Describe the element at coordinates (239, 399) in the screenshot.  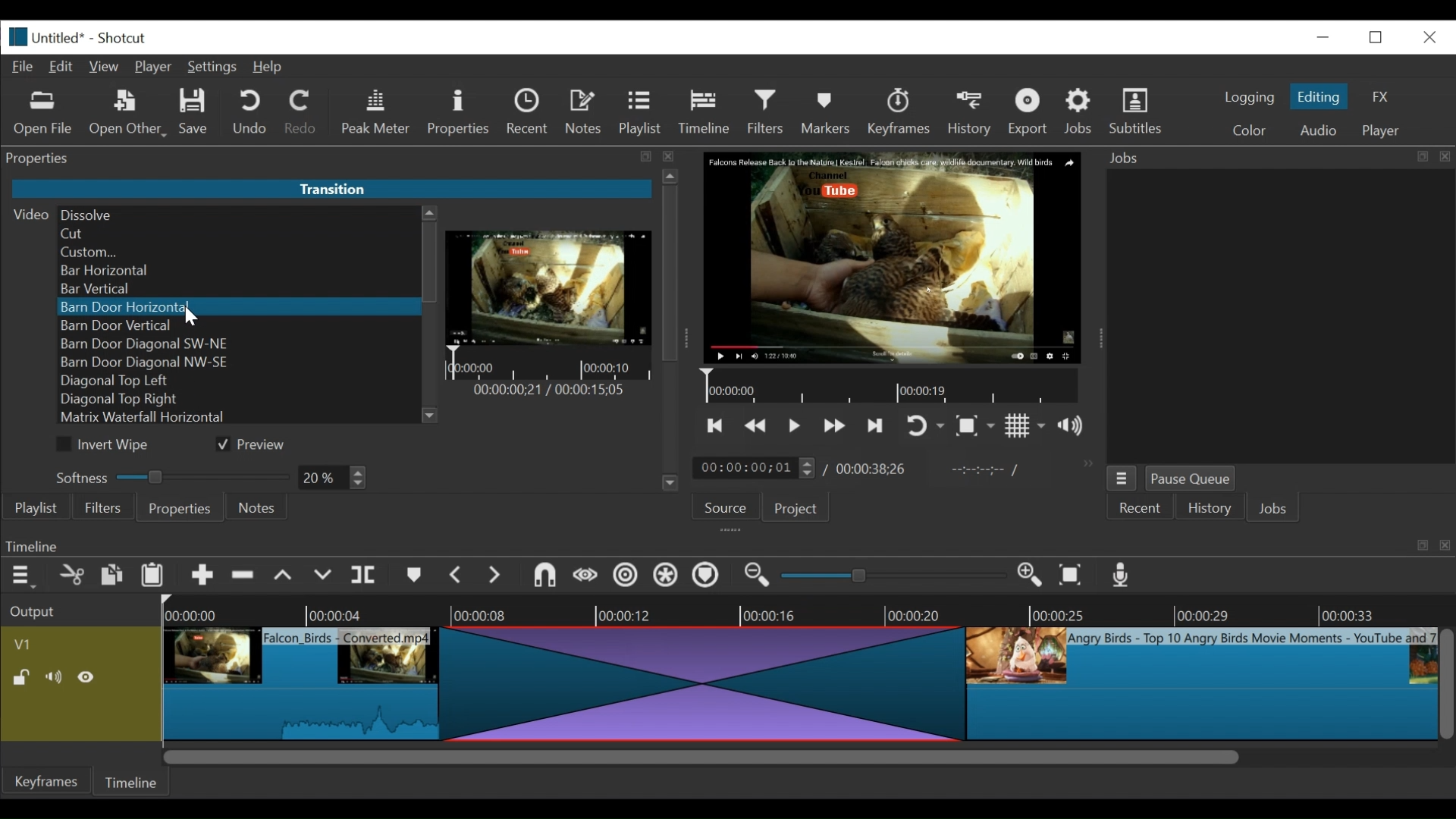
I see `Diagonal Top Right` at that location.